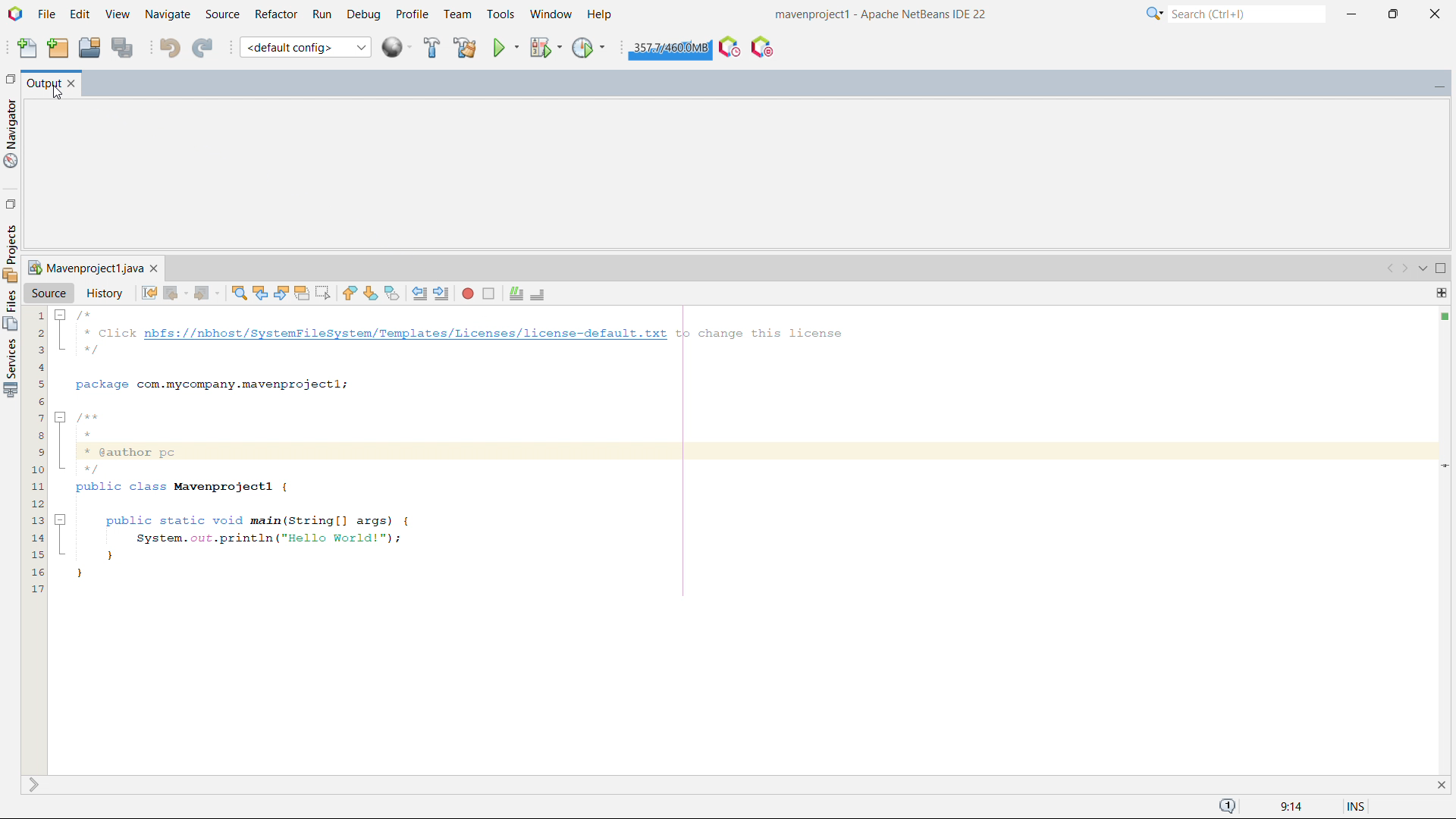 Image resolution: width=1456 pixels, height=819 pixels. What do you see at coordinates (505, 47) in the screenshot?
I see `run project` at bounding box center [505, 47].